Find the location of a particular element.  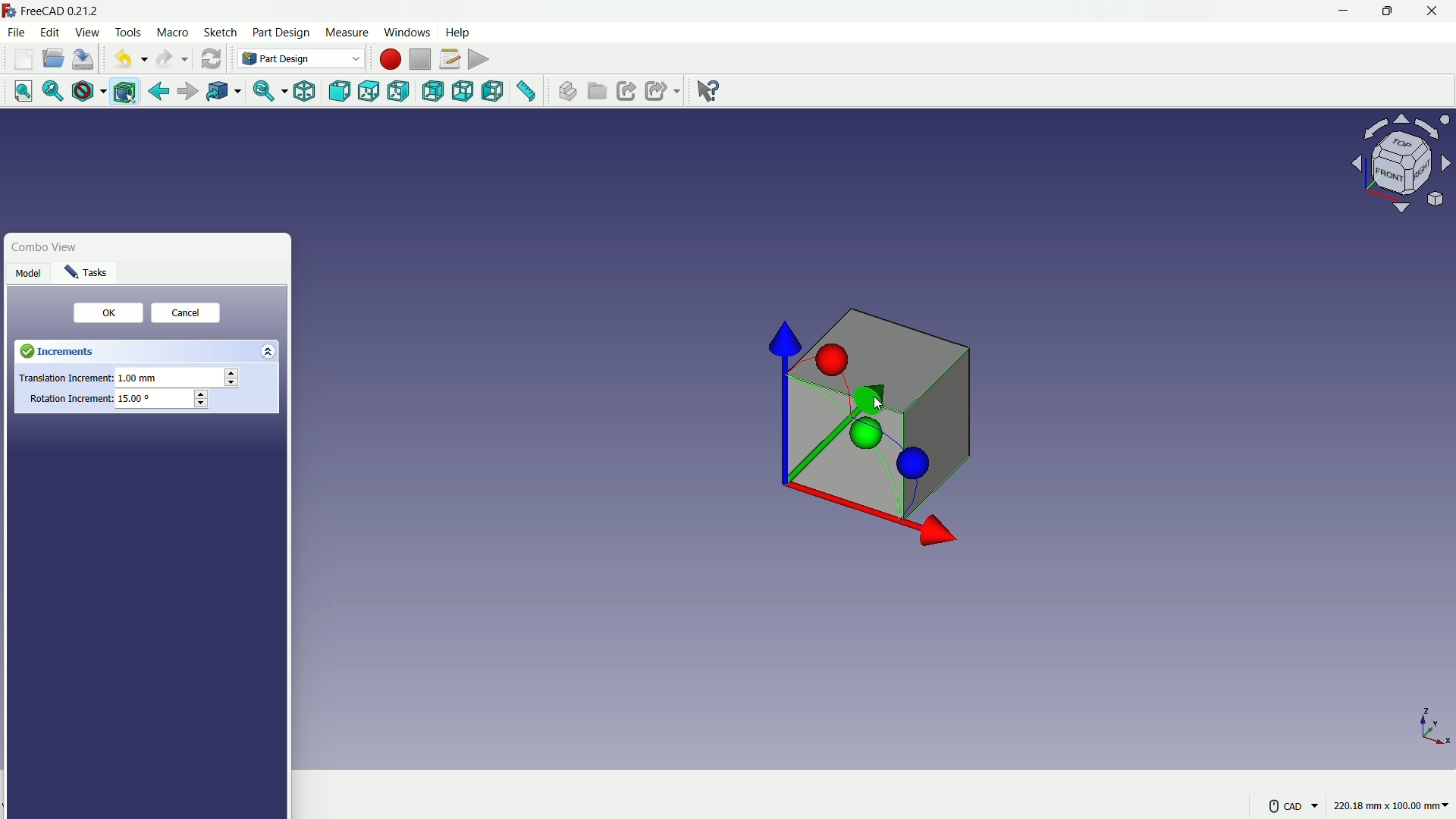

windows is located at coordinates (406, 32).